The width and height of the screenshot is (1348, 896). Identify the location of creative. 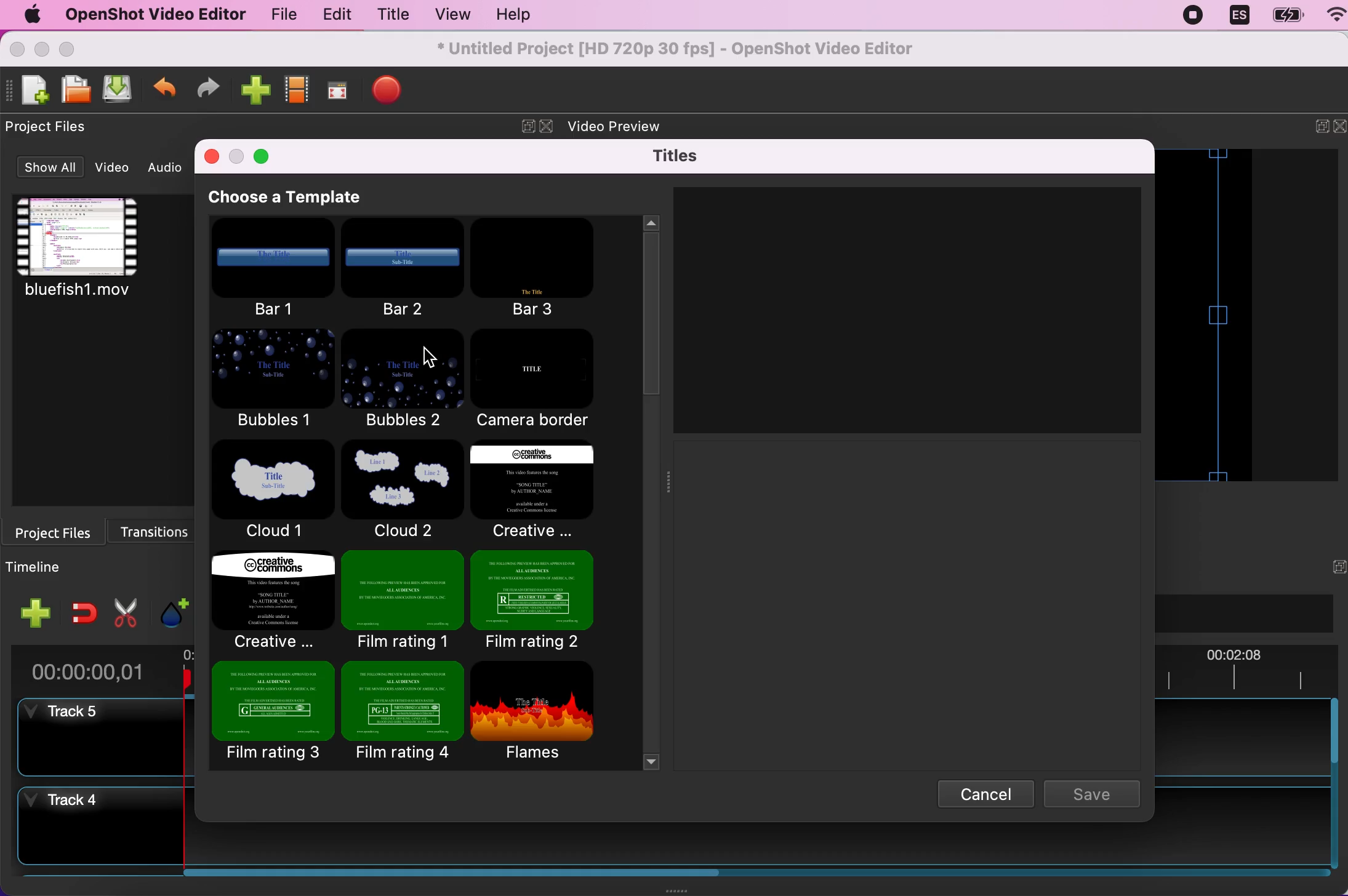
(274, 598).